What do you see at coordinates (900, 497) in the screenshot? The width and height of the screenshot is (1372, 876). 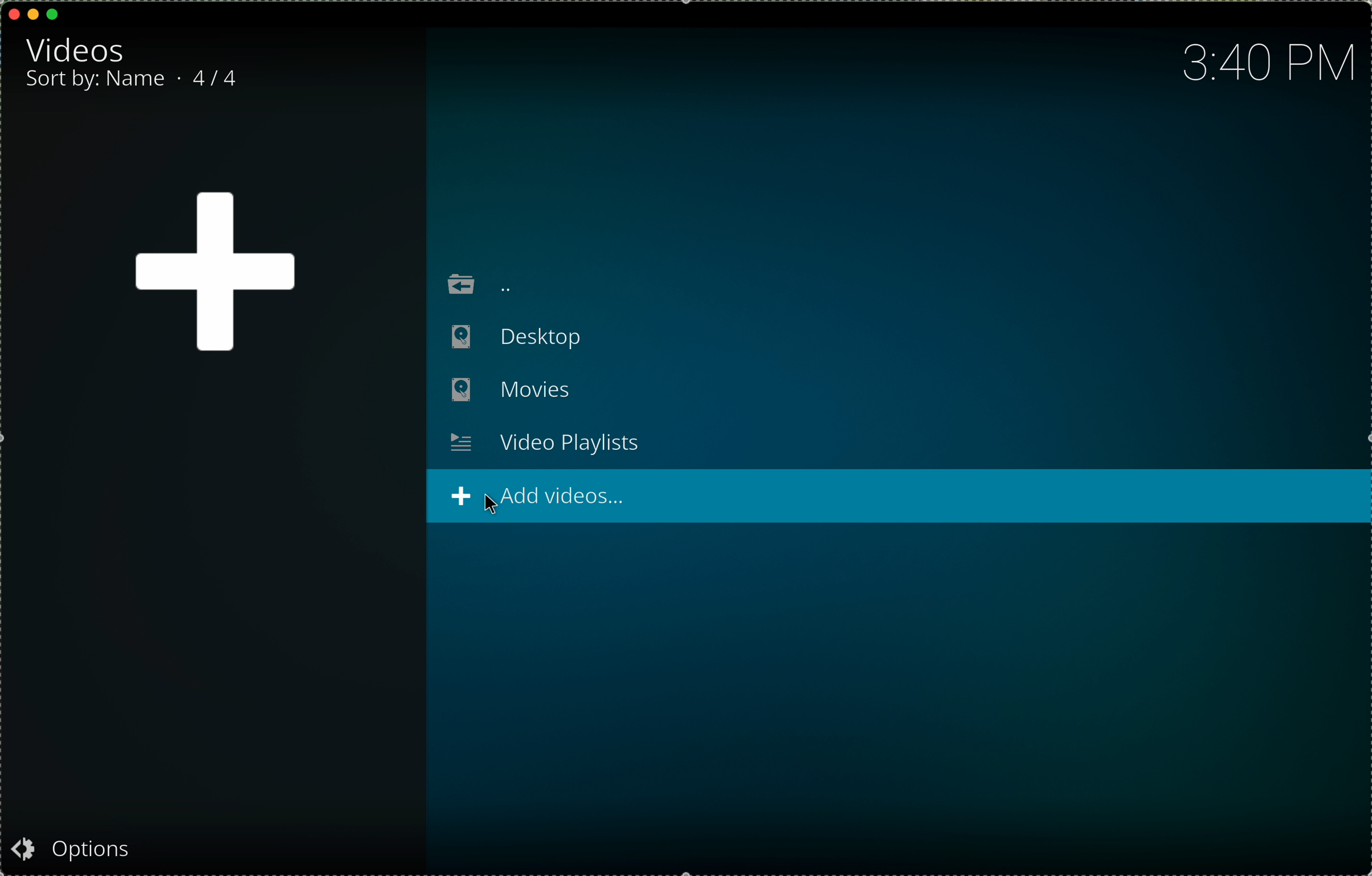 I see `click on add videos...` at bounding box center [900, 497].